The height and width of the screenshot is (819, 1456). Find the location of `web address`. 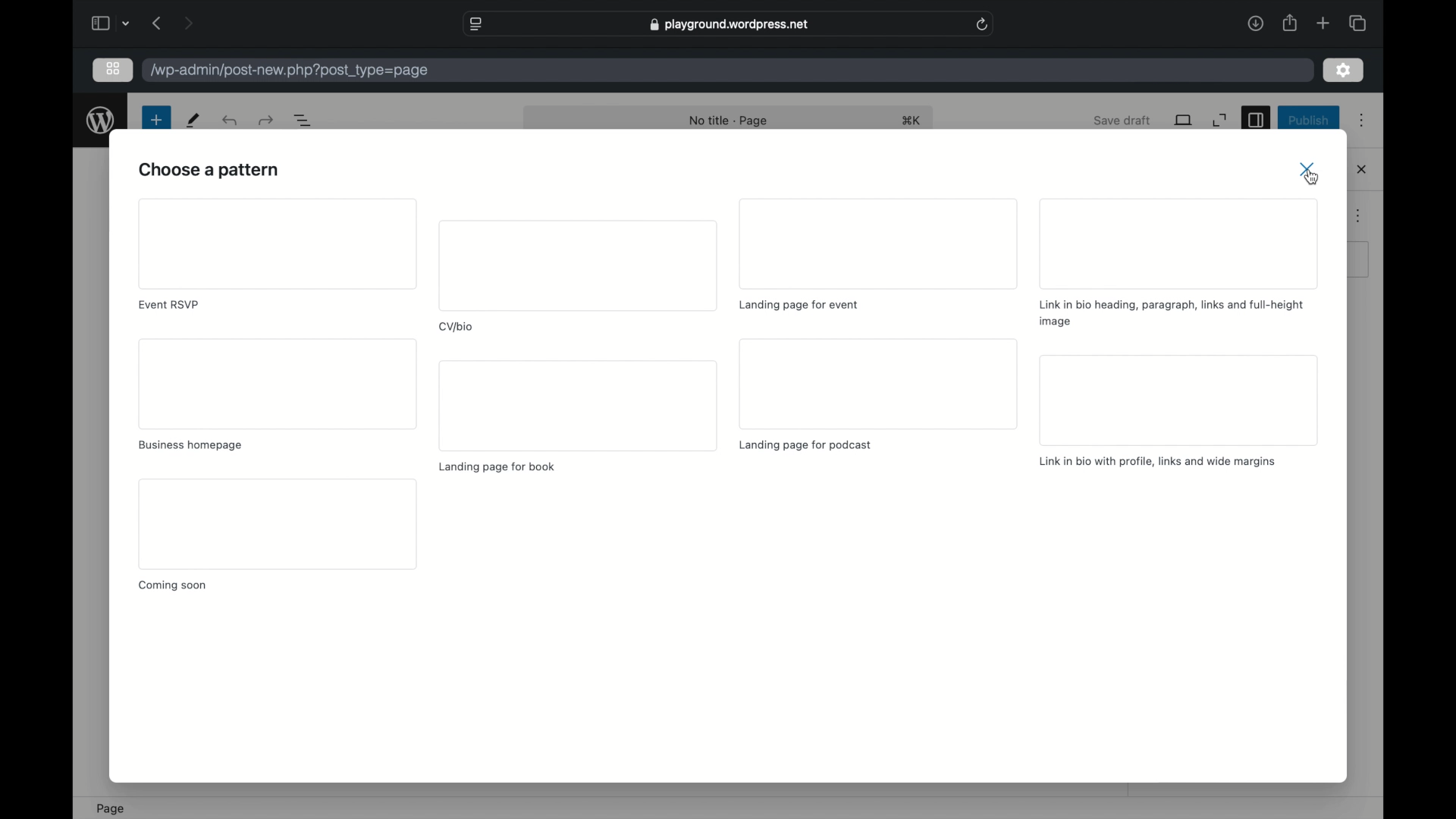

web address is located at coordinates (730, 24).